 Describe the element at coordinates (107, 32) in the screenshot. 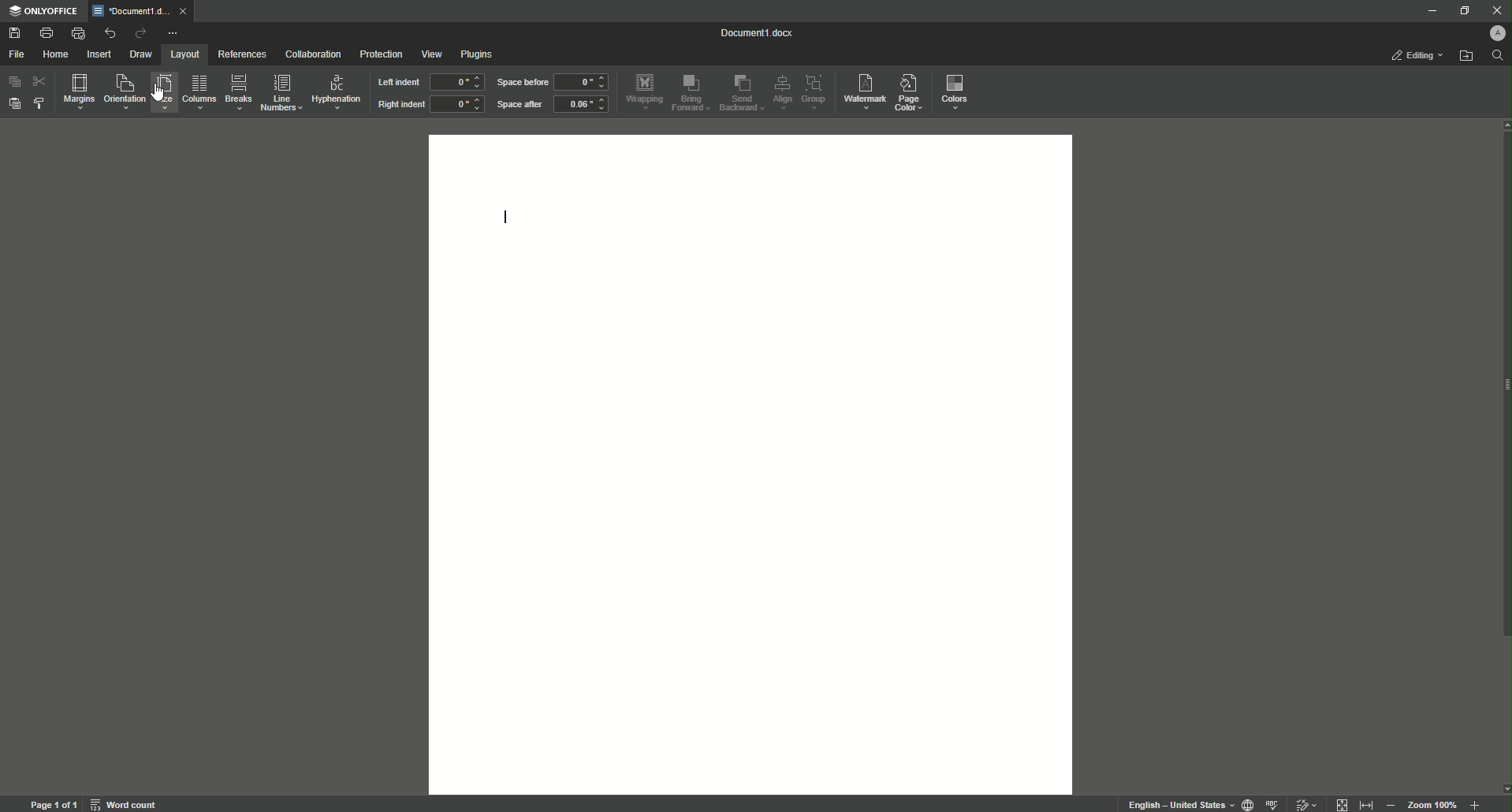

I see `Undo` at that location.